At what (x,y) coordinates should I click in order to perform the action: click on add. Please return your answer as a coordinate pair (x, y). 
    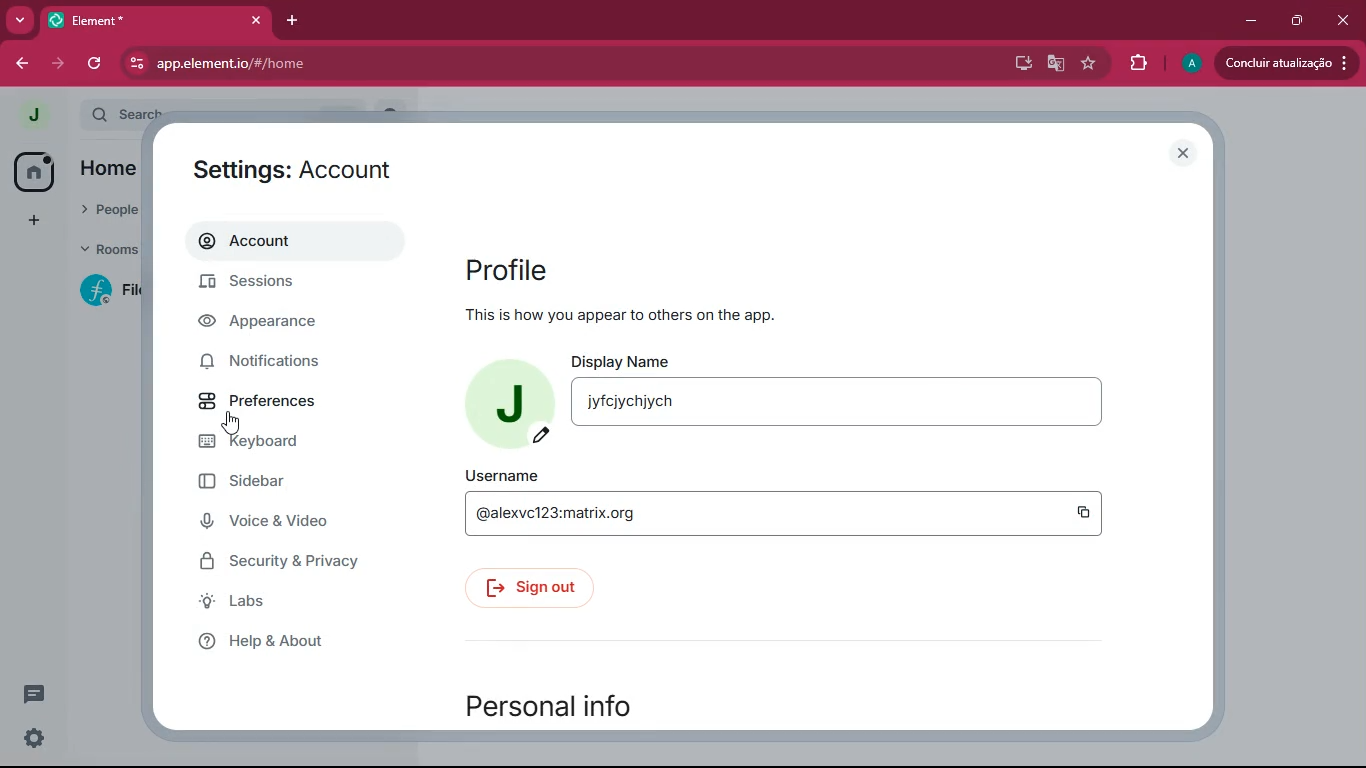
    Looking at the image, I should click on (33, 220).